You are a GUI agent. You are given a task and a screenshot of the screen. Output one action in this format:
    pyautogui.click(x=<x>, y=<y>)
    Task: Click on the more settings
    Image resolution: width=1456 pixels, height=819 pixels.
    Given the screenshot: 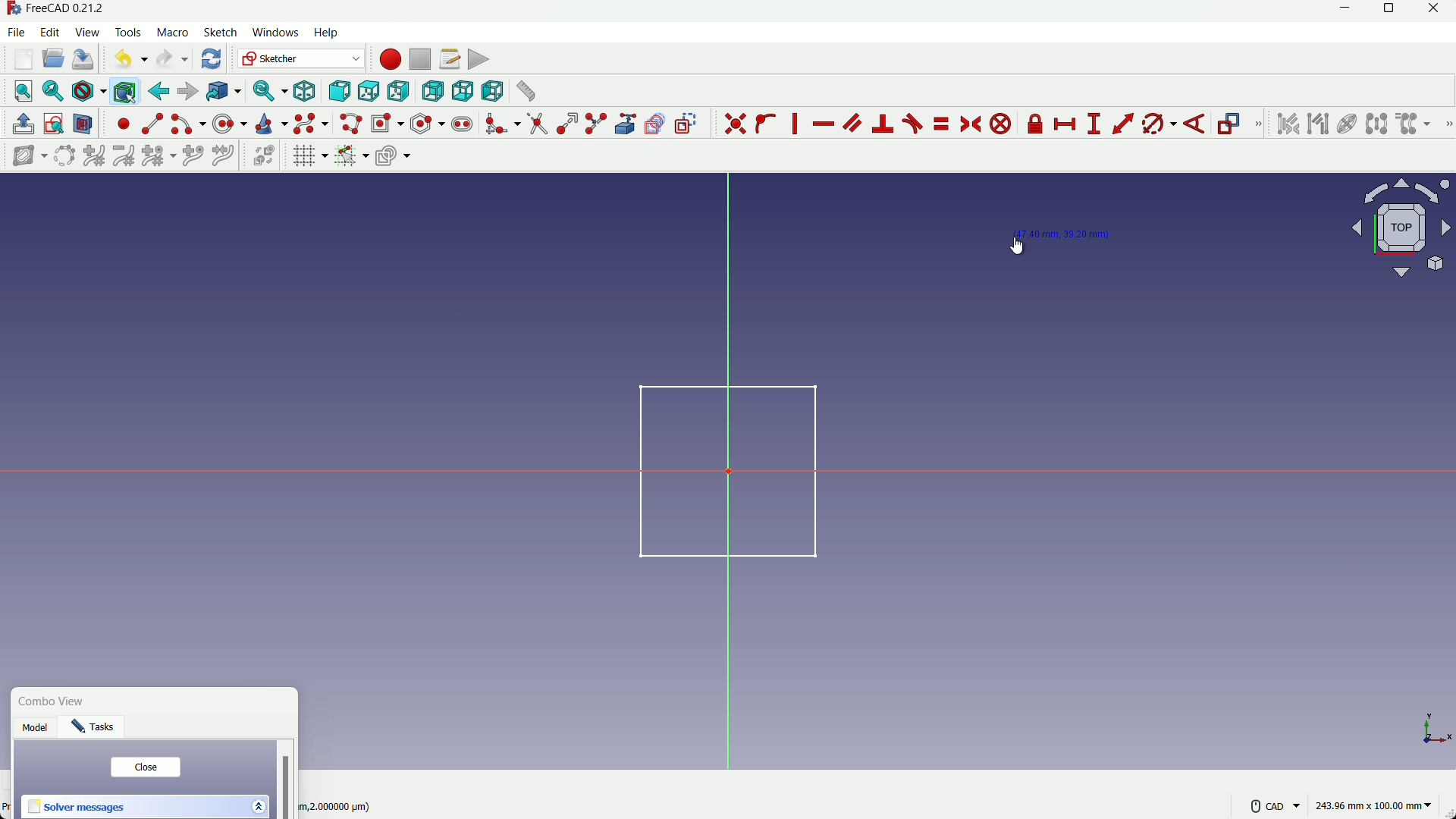 What is the action you would take?
    pyautogui.click(x=1276, y=806)
    